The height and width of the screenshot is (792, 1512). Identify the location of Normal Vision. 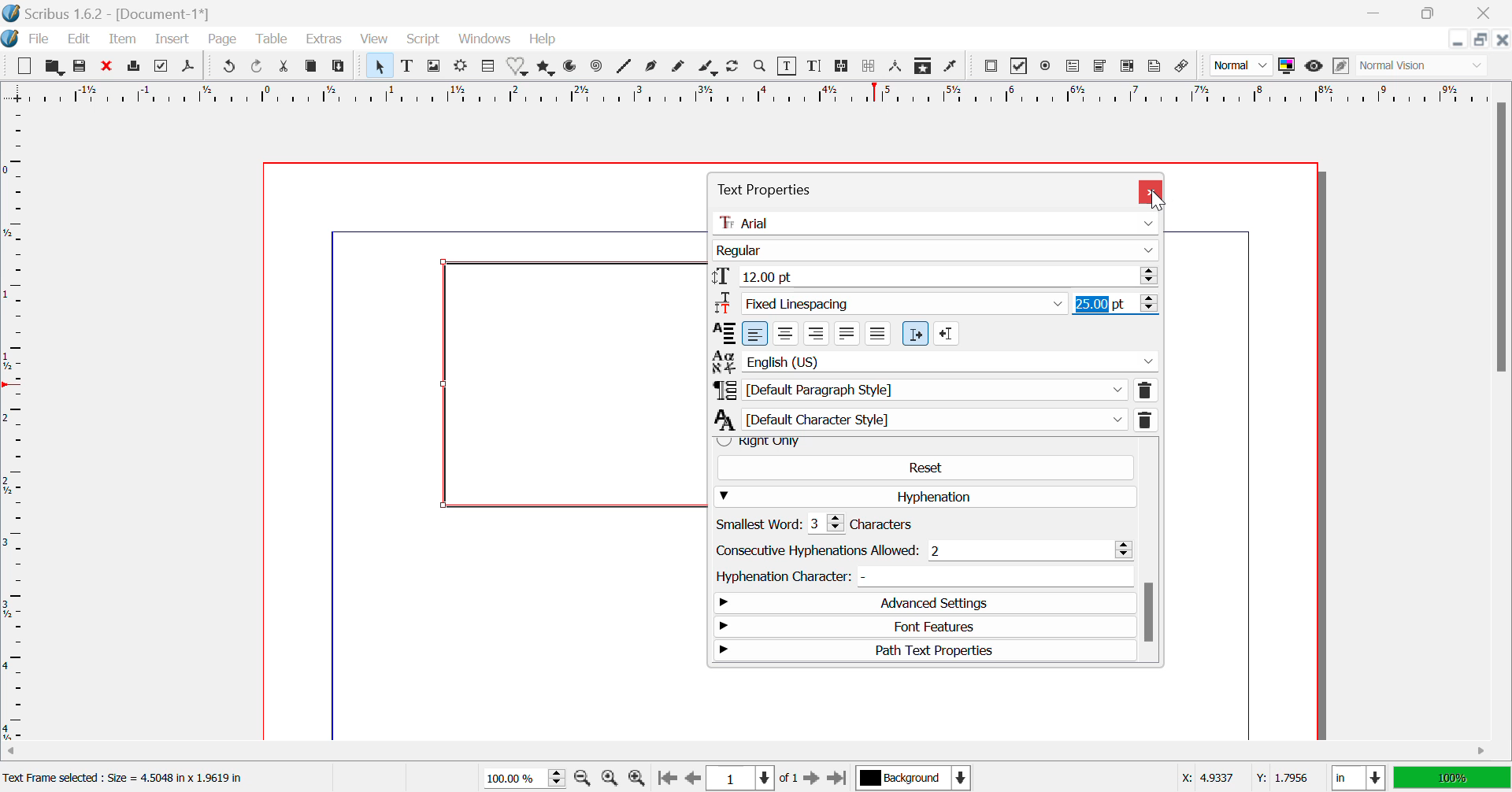
(1425, 67).